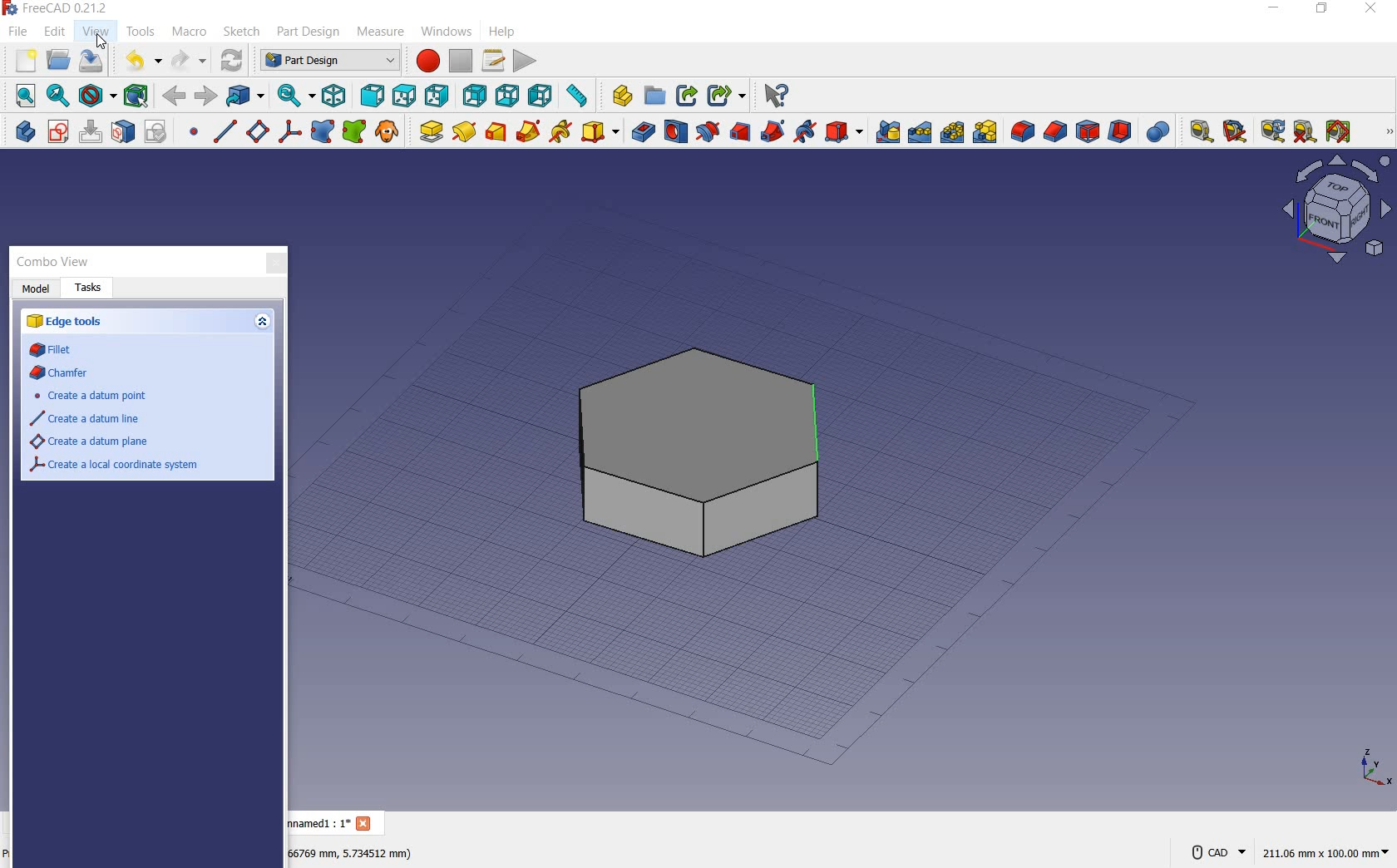 The image size is (1397, 868). Describe the element at coordinates (97, 29) in the screenshot. I see `view` at that location.